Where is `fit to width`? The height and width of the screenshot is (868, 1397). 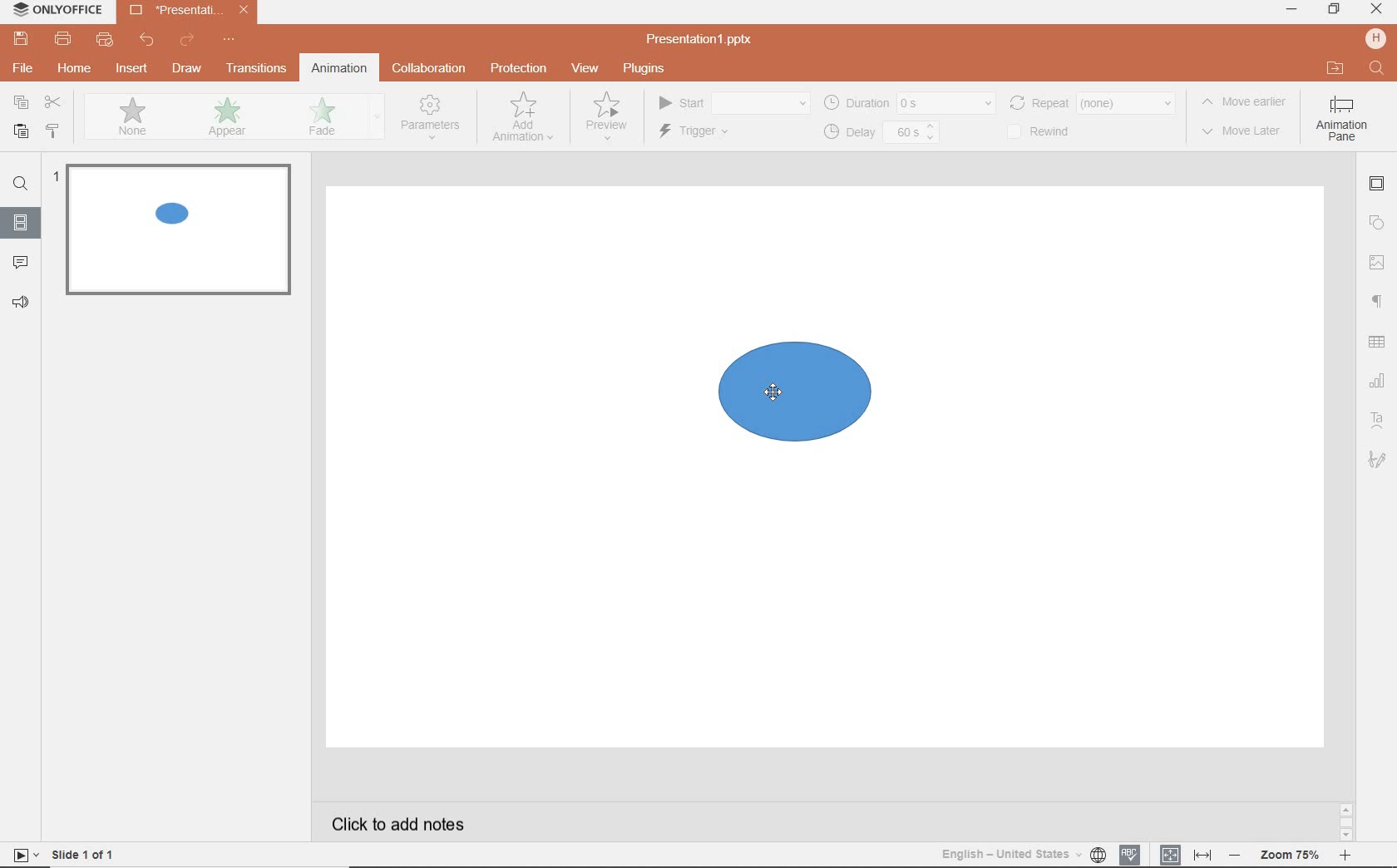
fit to width is located at coordinates (1204, 853).